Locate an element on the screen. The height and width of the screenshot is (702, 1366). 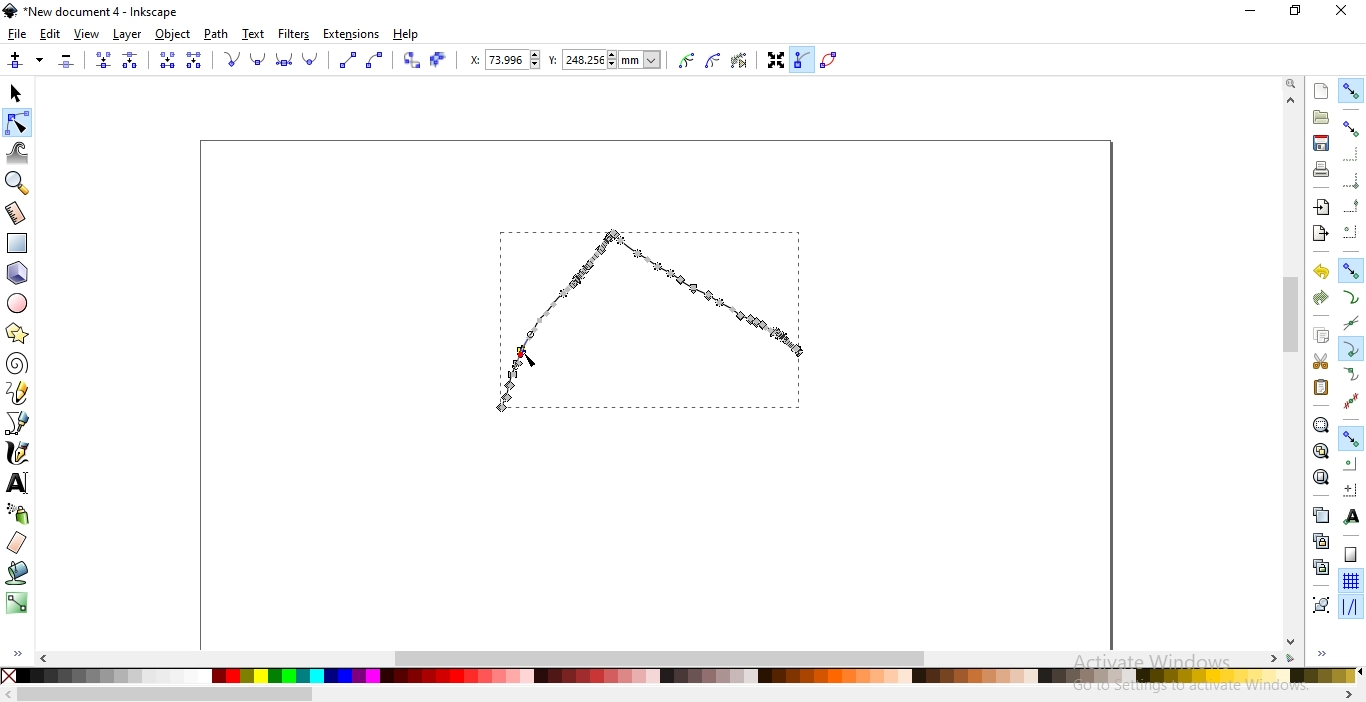
cut the selected clones links to the originals is located at coordinates (1320, 567).